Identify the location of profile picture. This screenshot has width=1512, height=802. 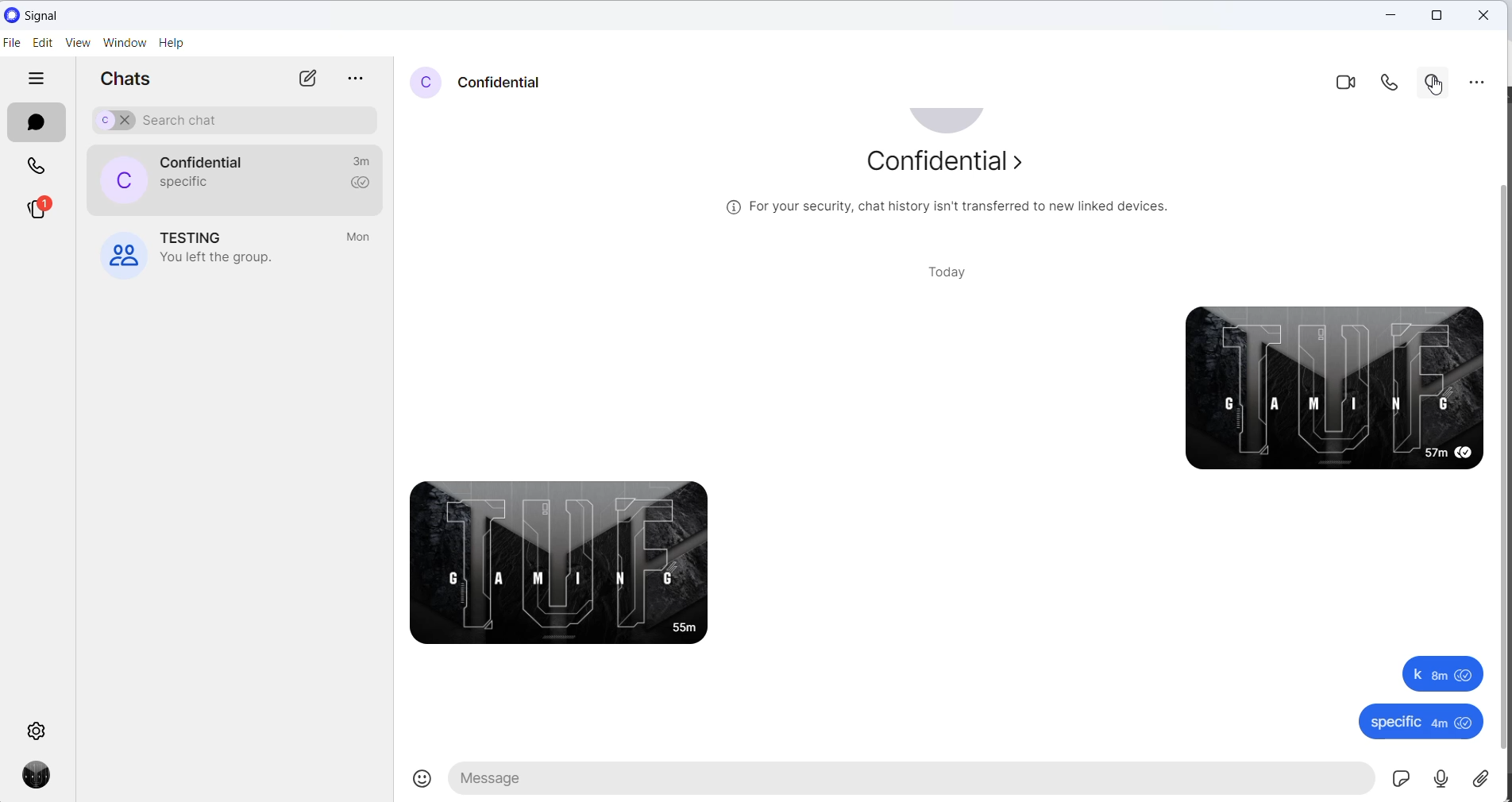
(117, 180).